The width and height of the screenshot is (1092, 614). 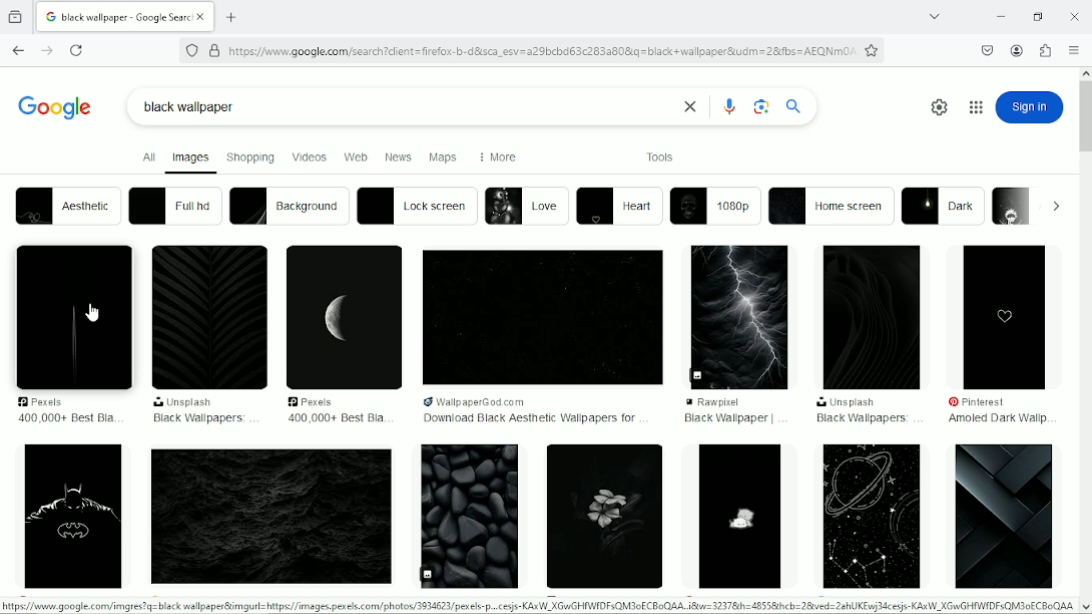 What do you see at coordinates (76, 51) in the screenshot?
I see `reload current page` at bounding box center [76, 51].